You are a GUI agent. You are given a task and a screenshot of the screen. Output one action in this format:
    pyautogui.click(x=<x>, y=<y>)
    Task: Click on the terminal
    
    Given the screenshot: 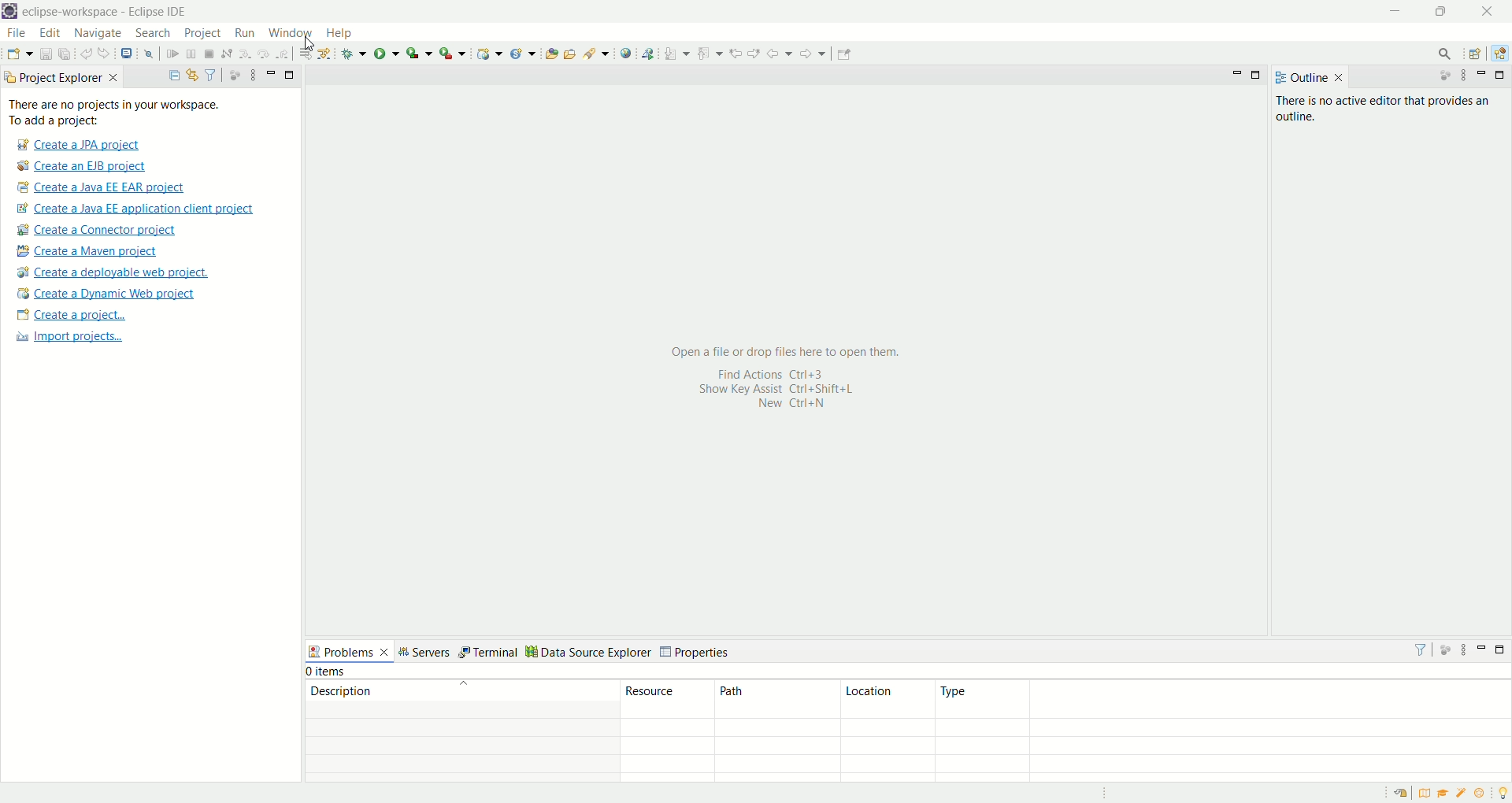 What is the action you would take?
    pyautogui.click(x=489, y=650)
    